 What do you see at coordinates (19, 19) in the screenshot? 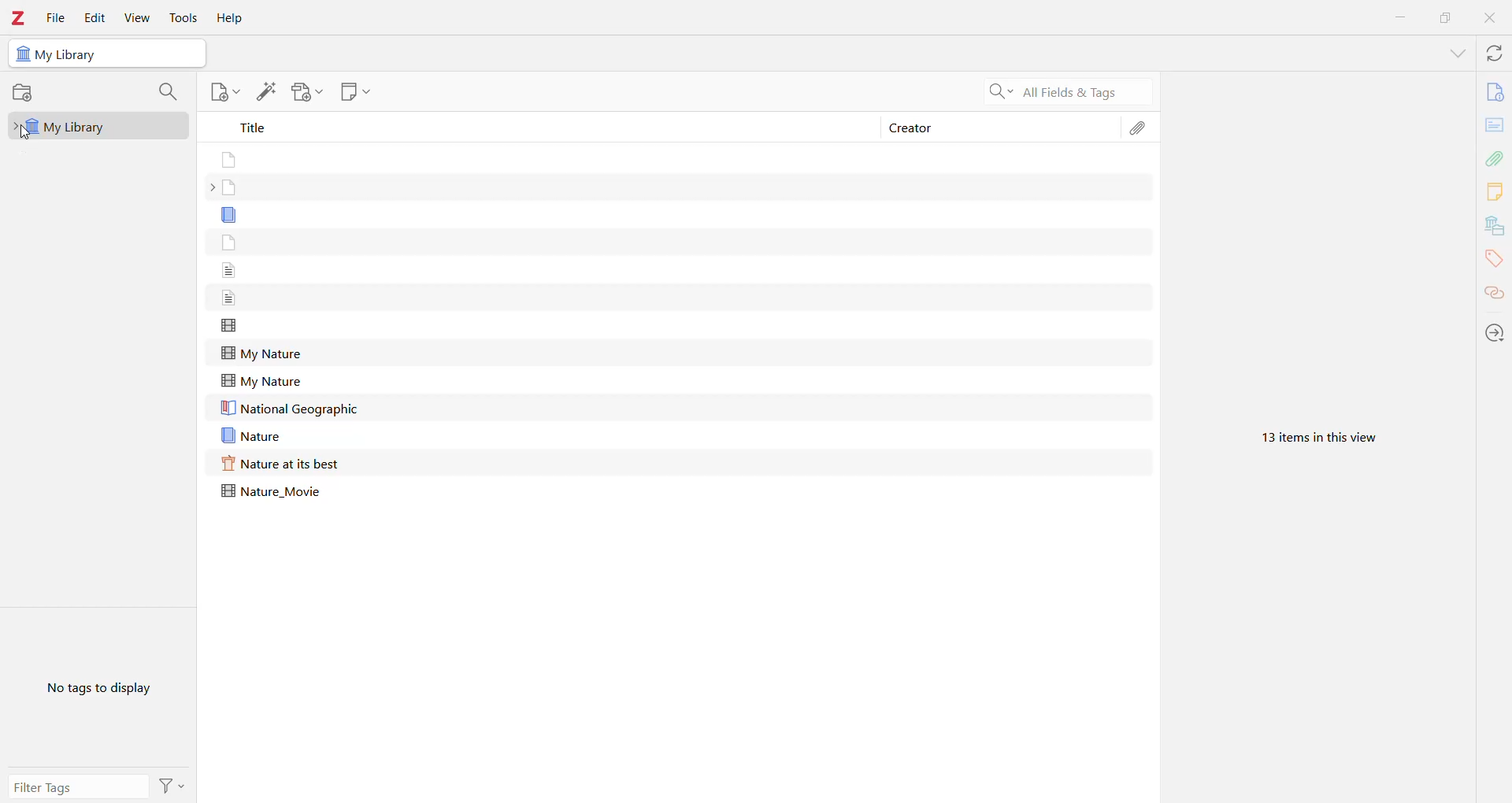
I see `Application Logo` at bounding box center [19, 19].